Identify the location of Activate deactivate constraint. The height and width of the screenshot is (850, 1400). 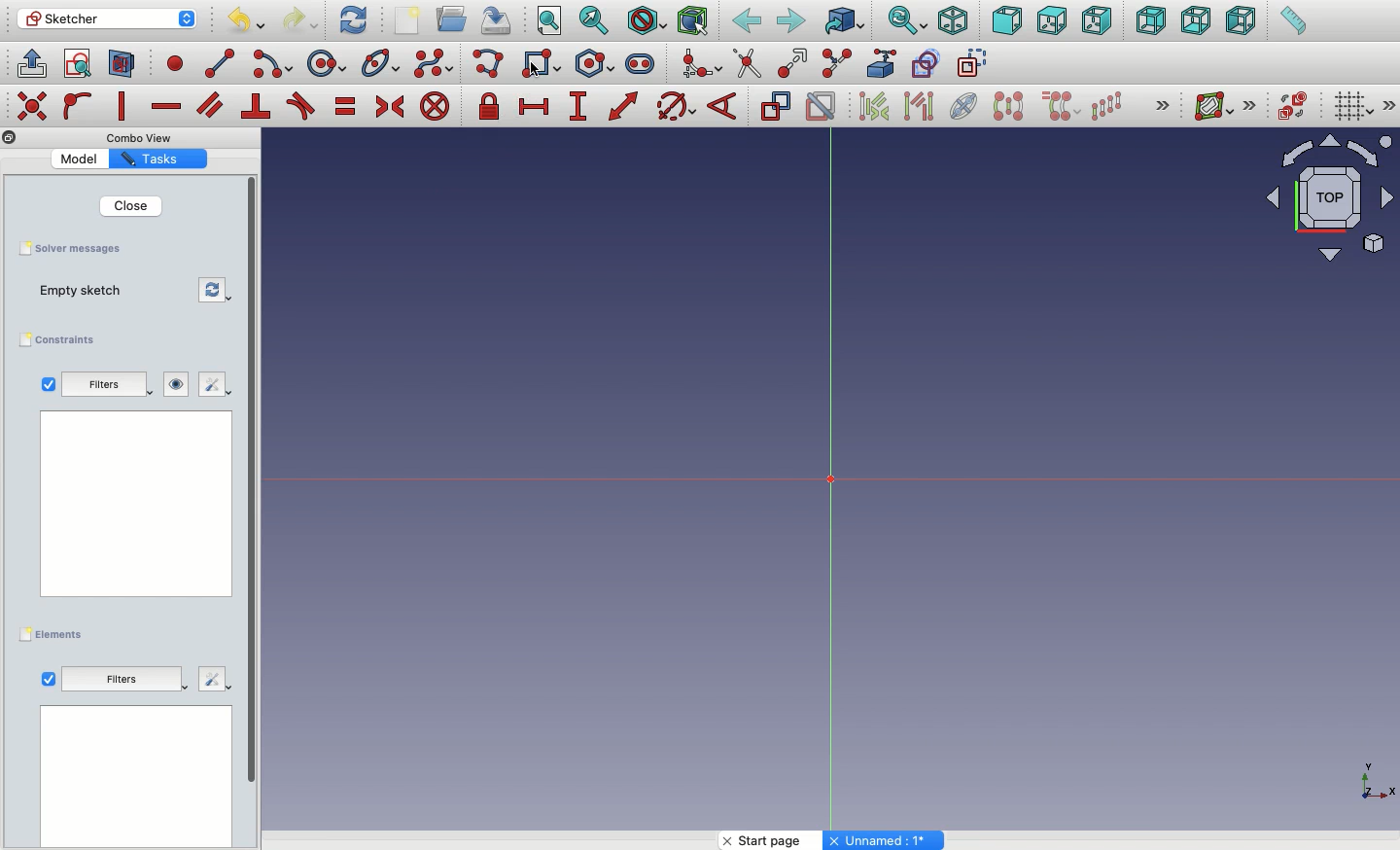
(822, 108).